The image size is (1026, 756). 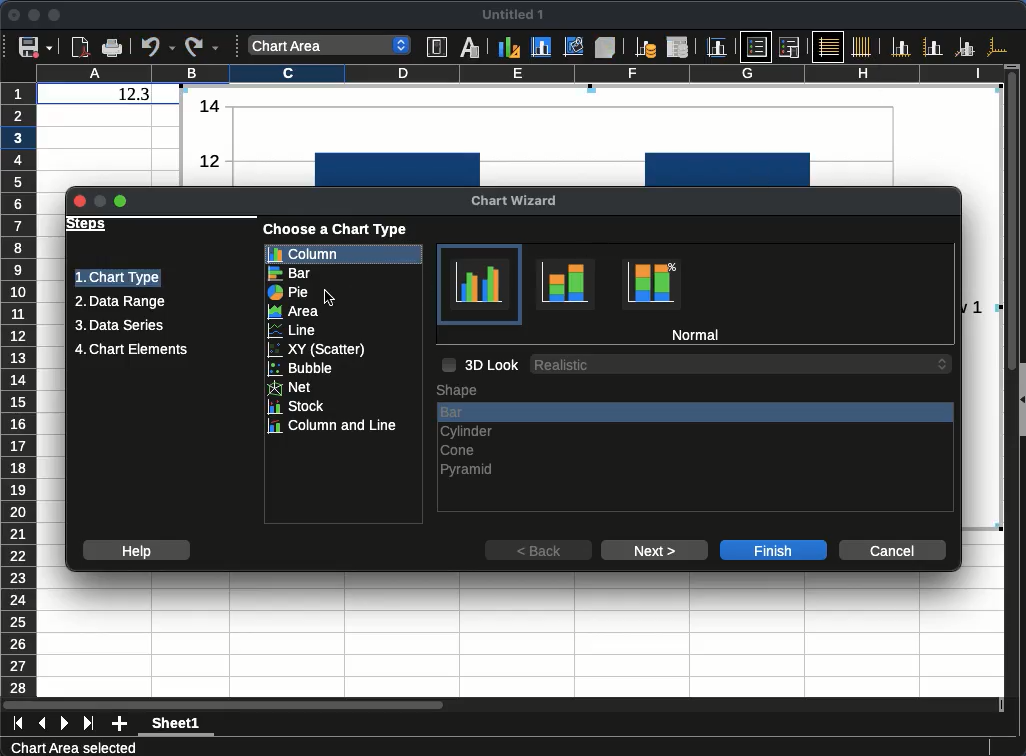 I want to click on maximize, so click(x=56, y=16).